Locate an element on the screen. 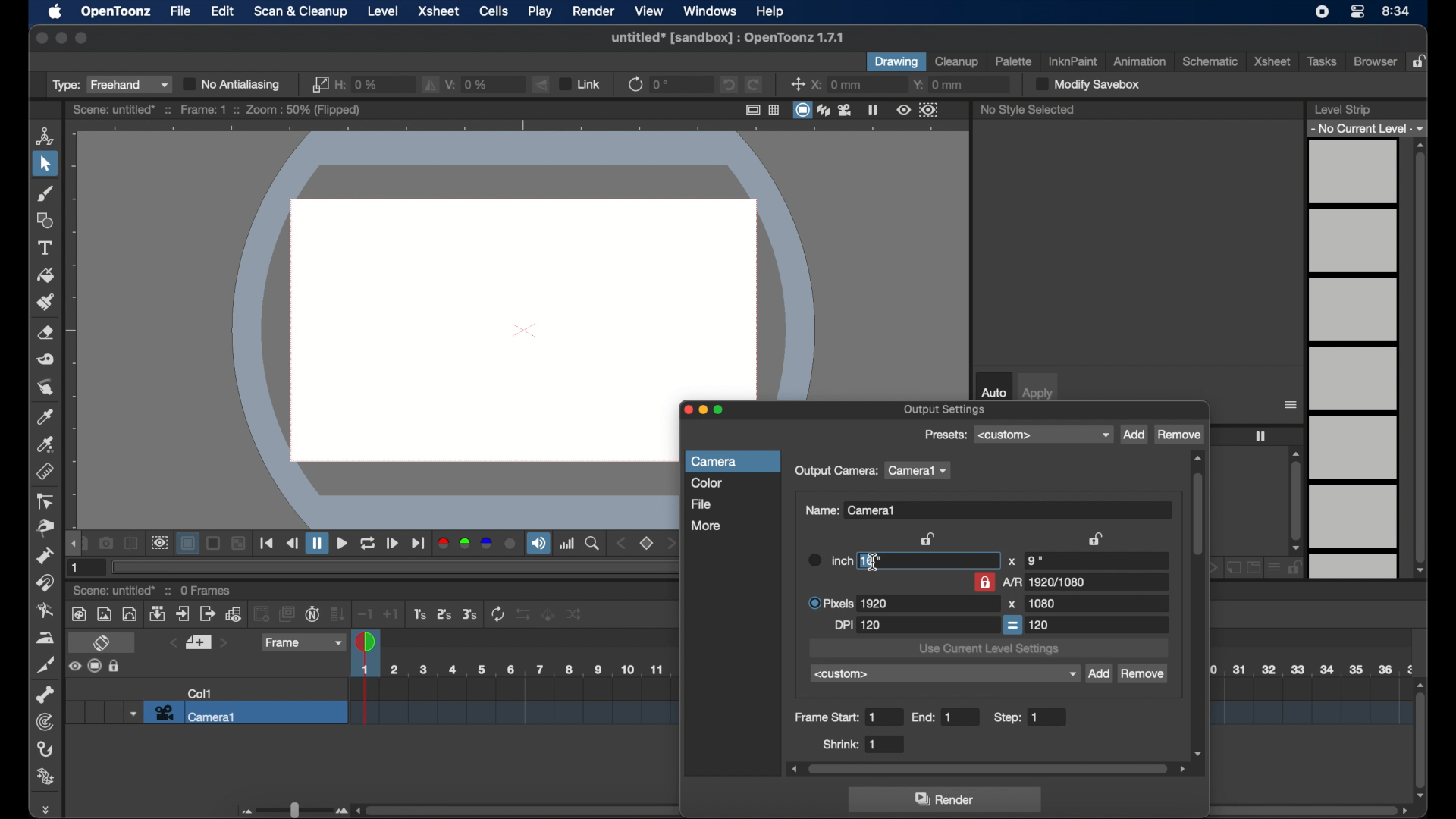   is located at coordinates (392, 546).